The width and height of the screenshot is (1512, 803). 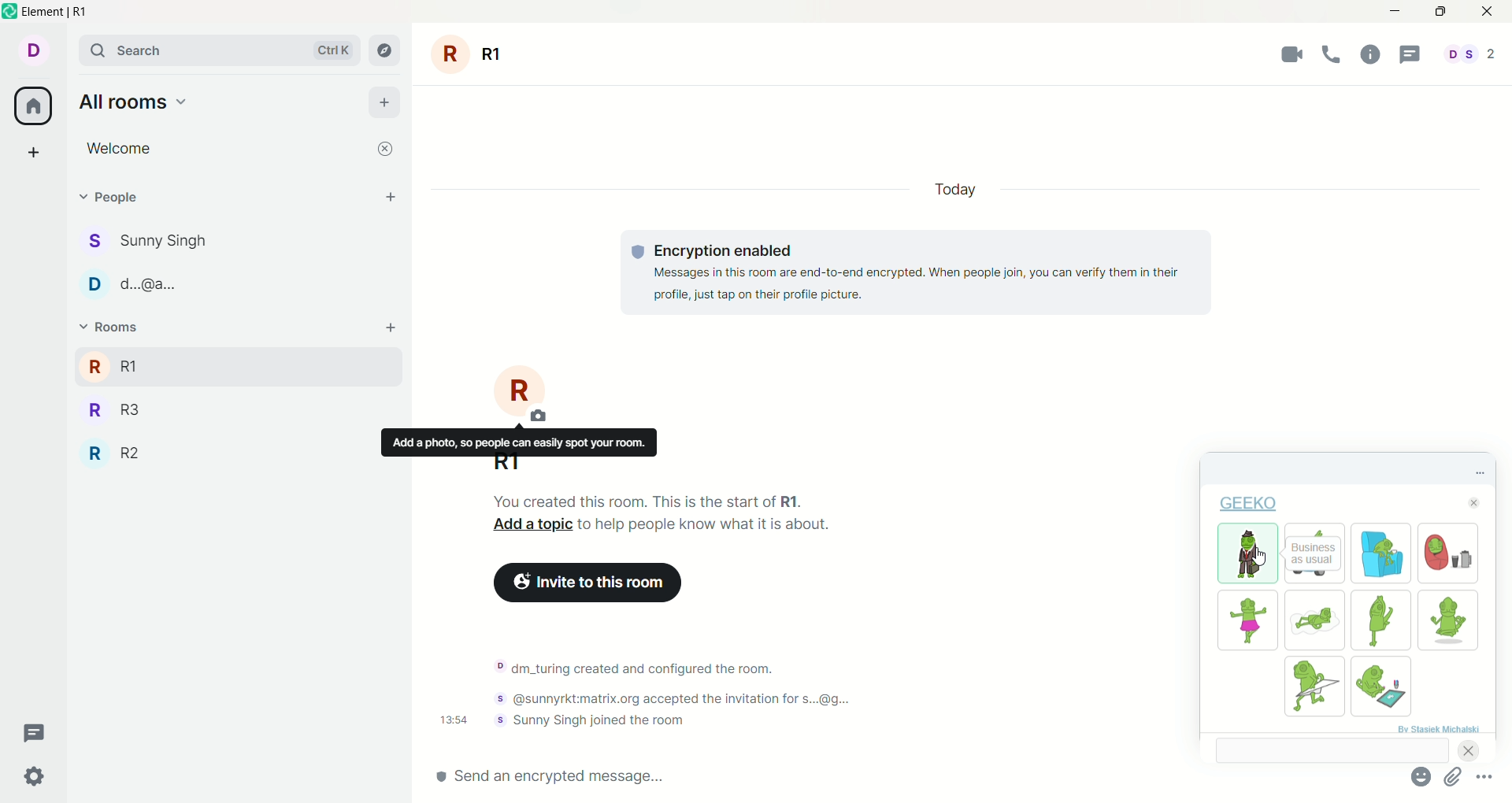 What do you see at coordinates (532, 524) in the screenshot?
I see `Click to add a topic` at bounding box center [532, 524].